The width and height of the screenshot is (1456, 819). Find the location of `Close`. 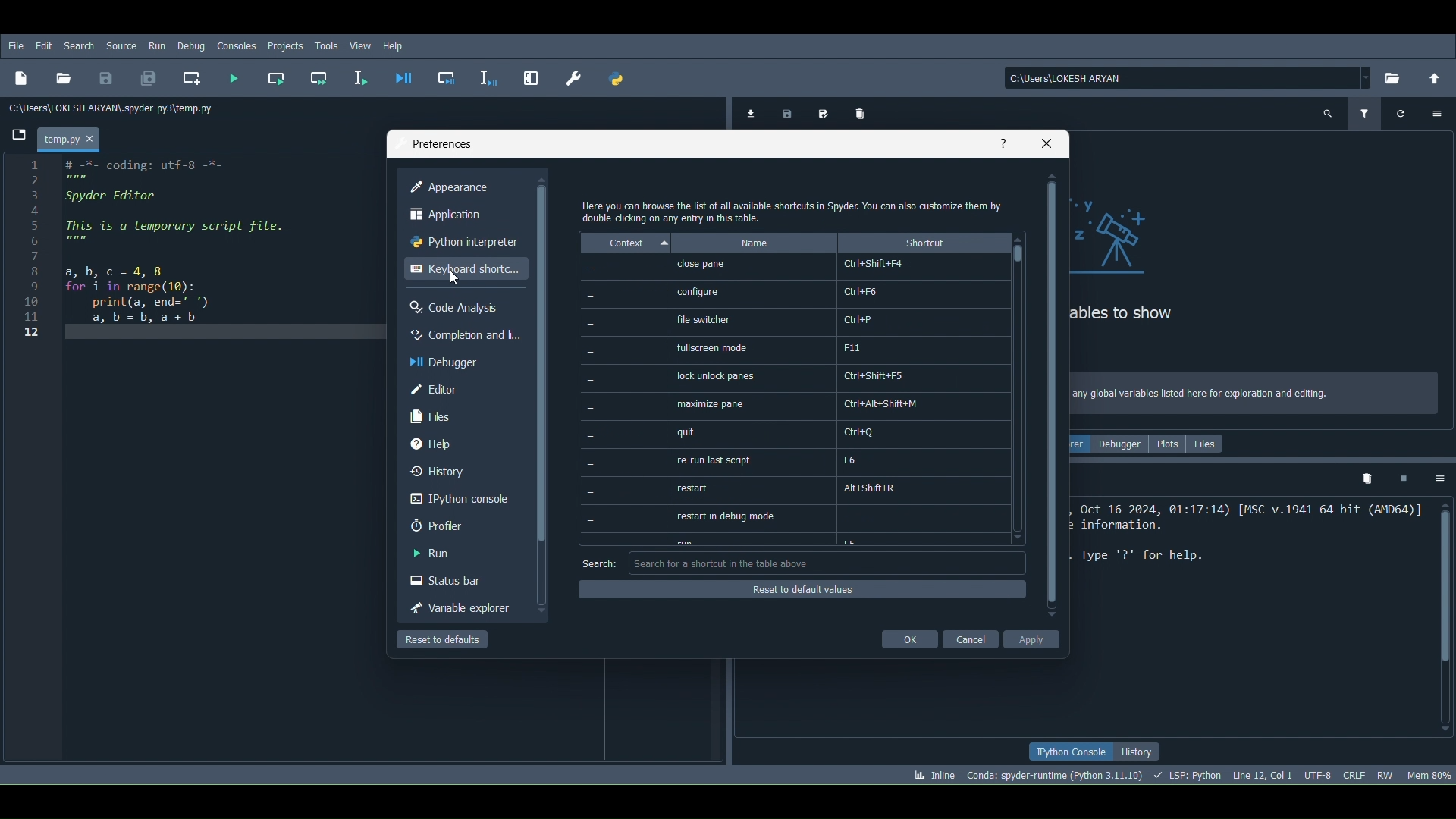

Close is located at coordinates (1048, 144).